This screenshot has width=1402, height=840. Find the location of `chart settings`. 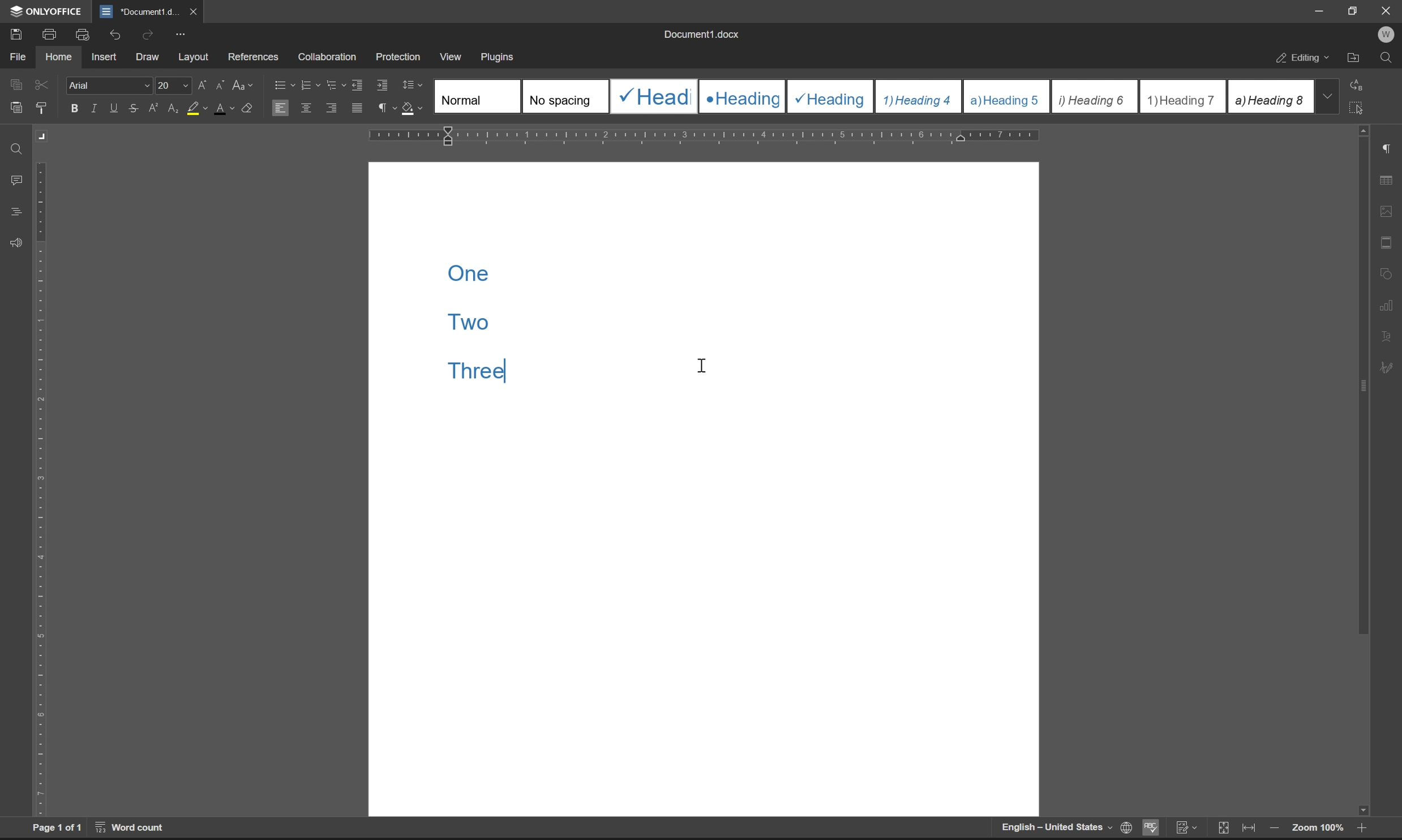

chart settings is located at coordinates (1387, 302).